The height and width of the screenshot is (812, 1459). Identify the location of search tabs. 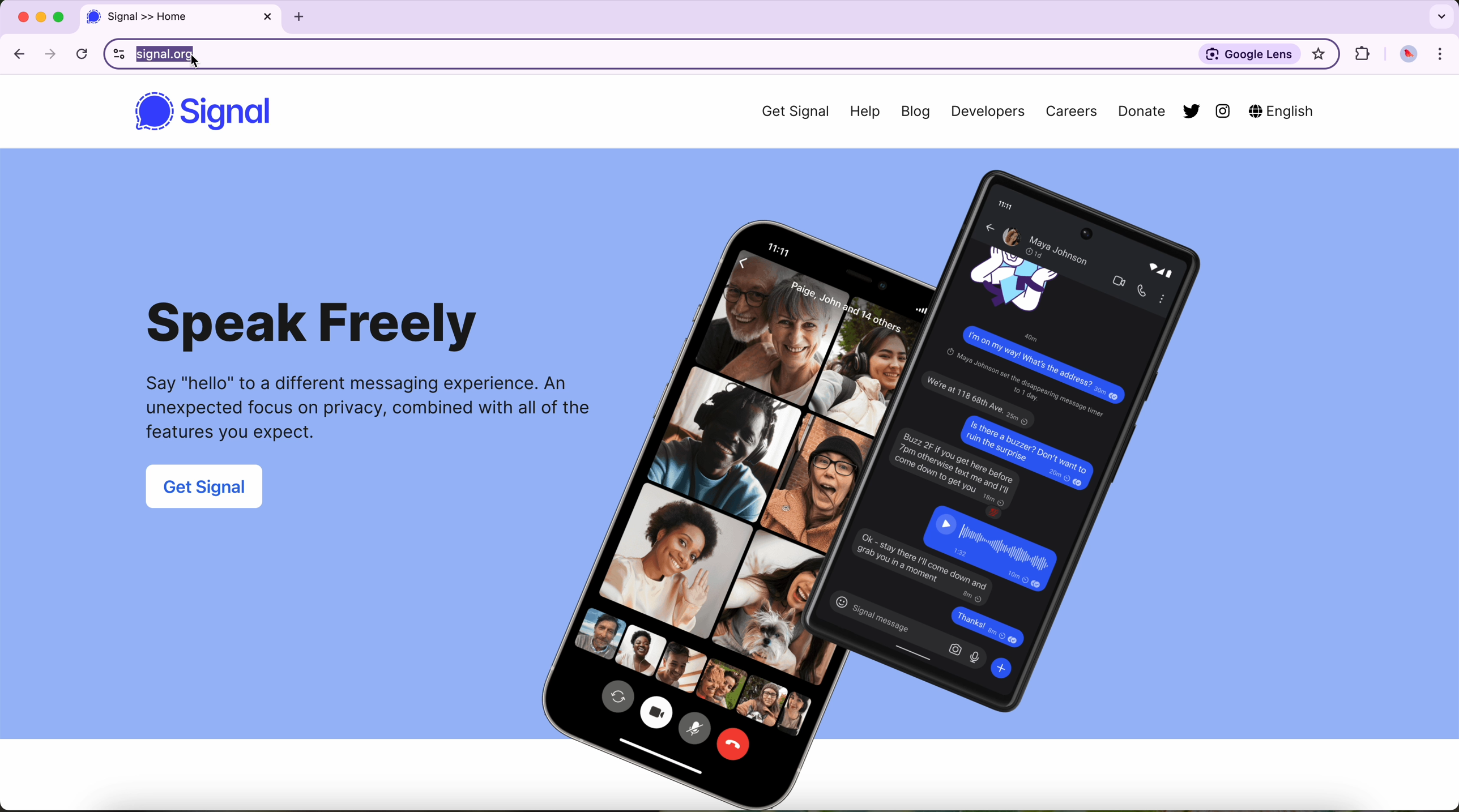
(1440, 15).